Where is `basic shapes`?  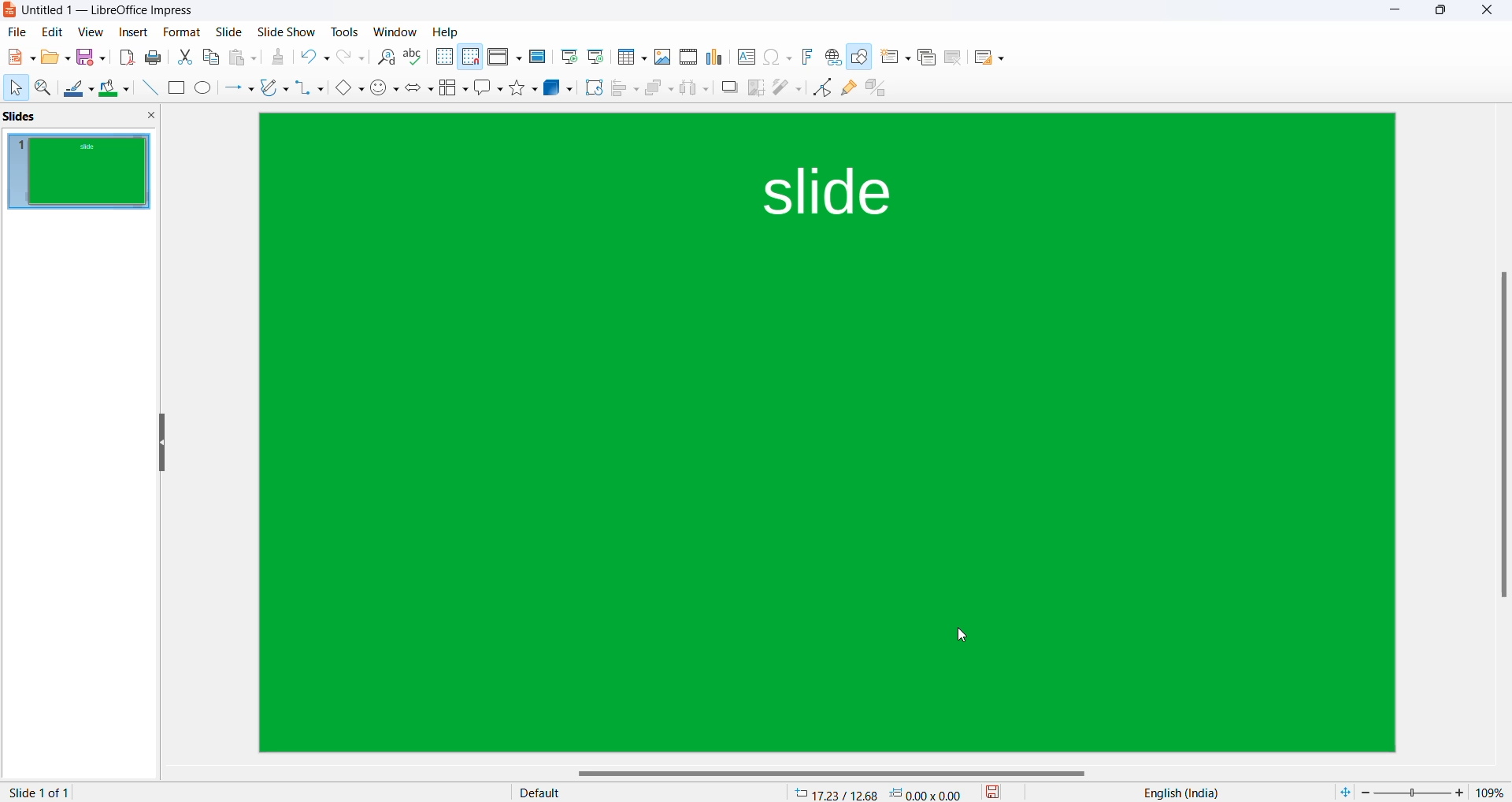
basic shapes is located at coordinates (348, 89).